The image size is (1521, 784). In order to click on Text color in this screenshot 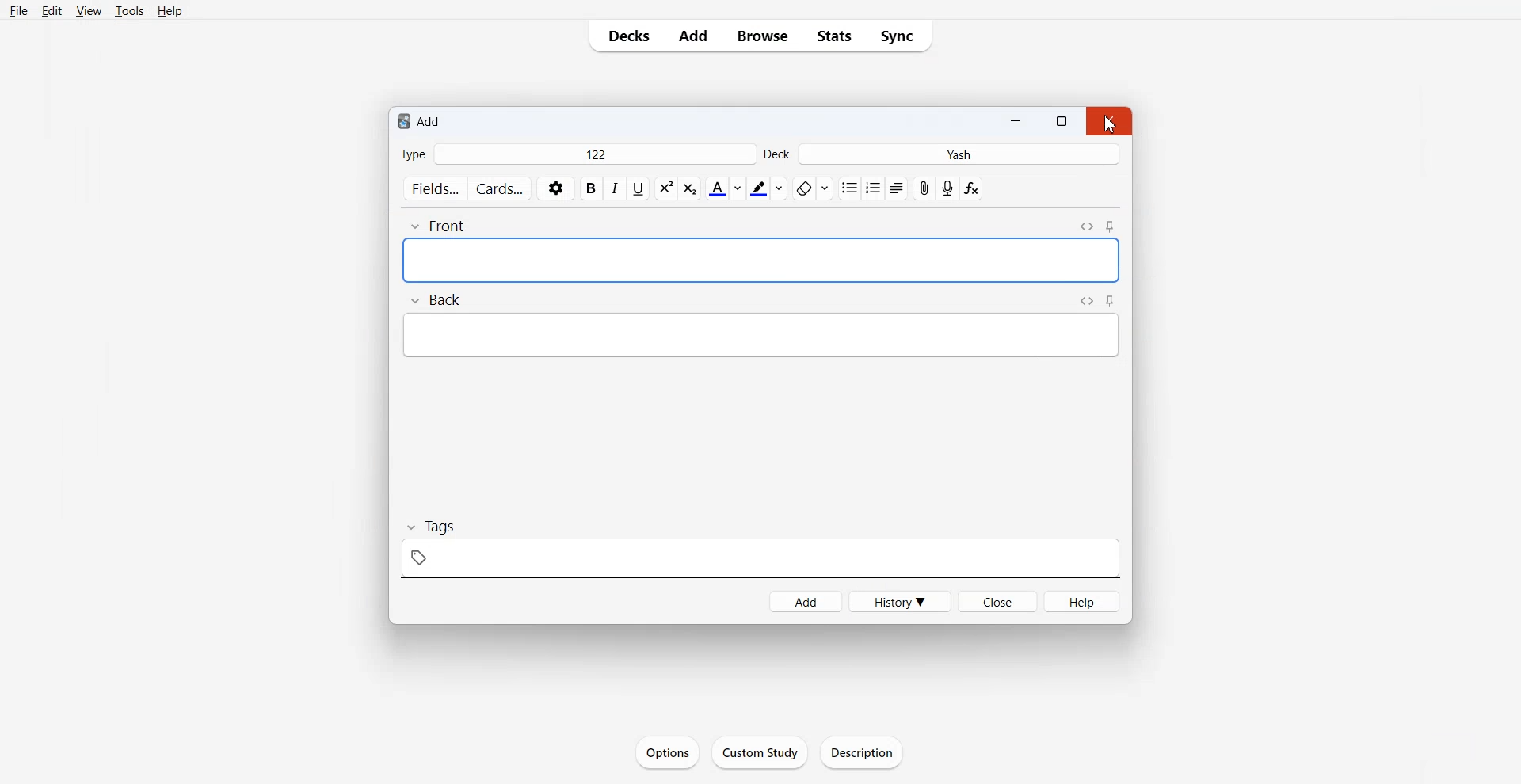, I will do `click(725, 188)`.